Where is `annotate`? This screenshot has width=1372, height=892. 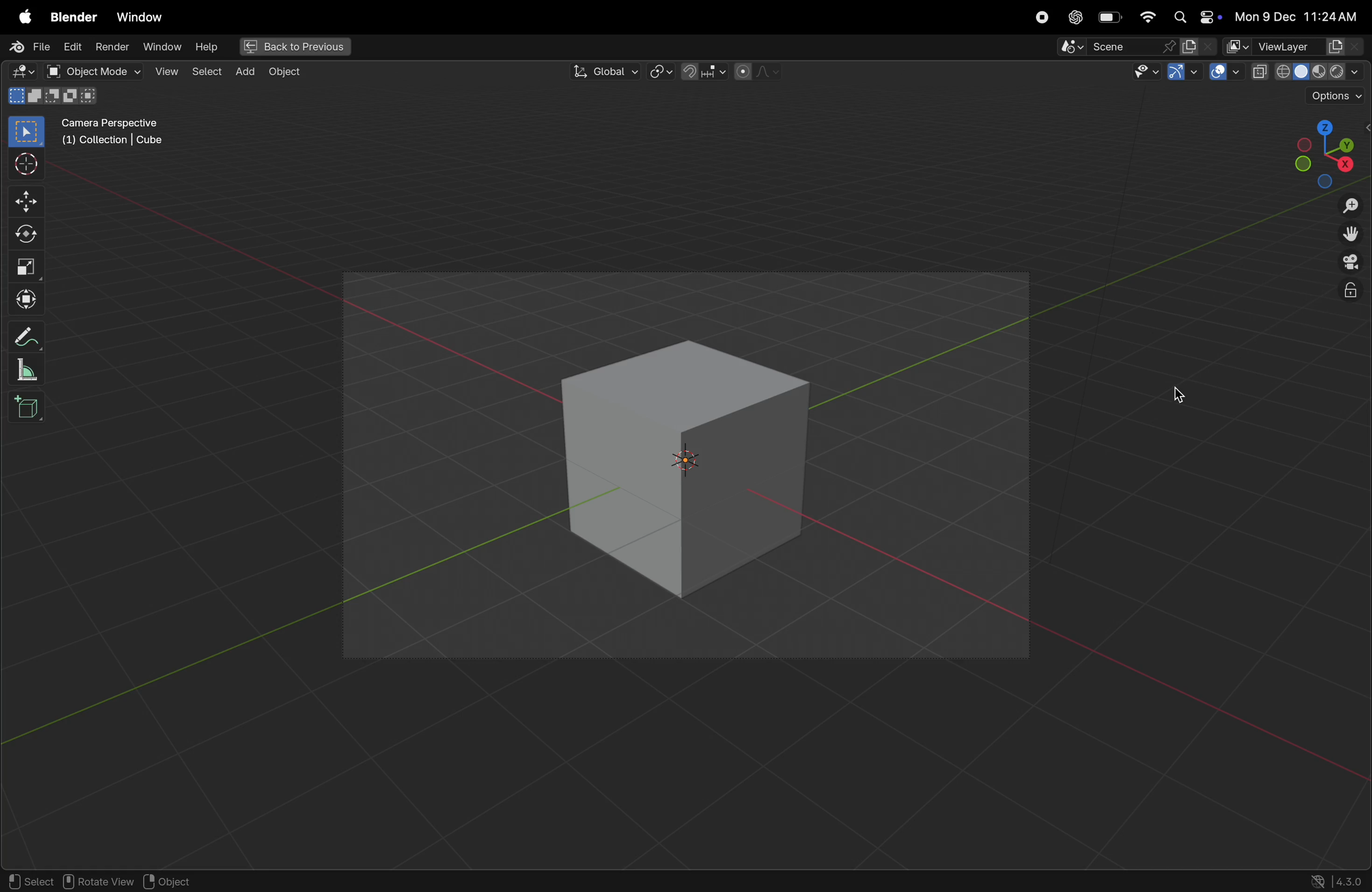
annotate is located at coordinates (27, 338).